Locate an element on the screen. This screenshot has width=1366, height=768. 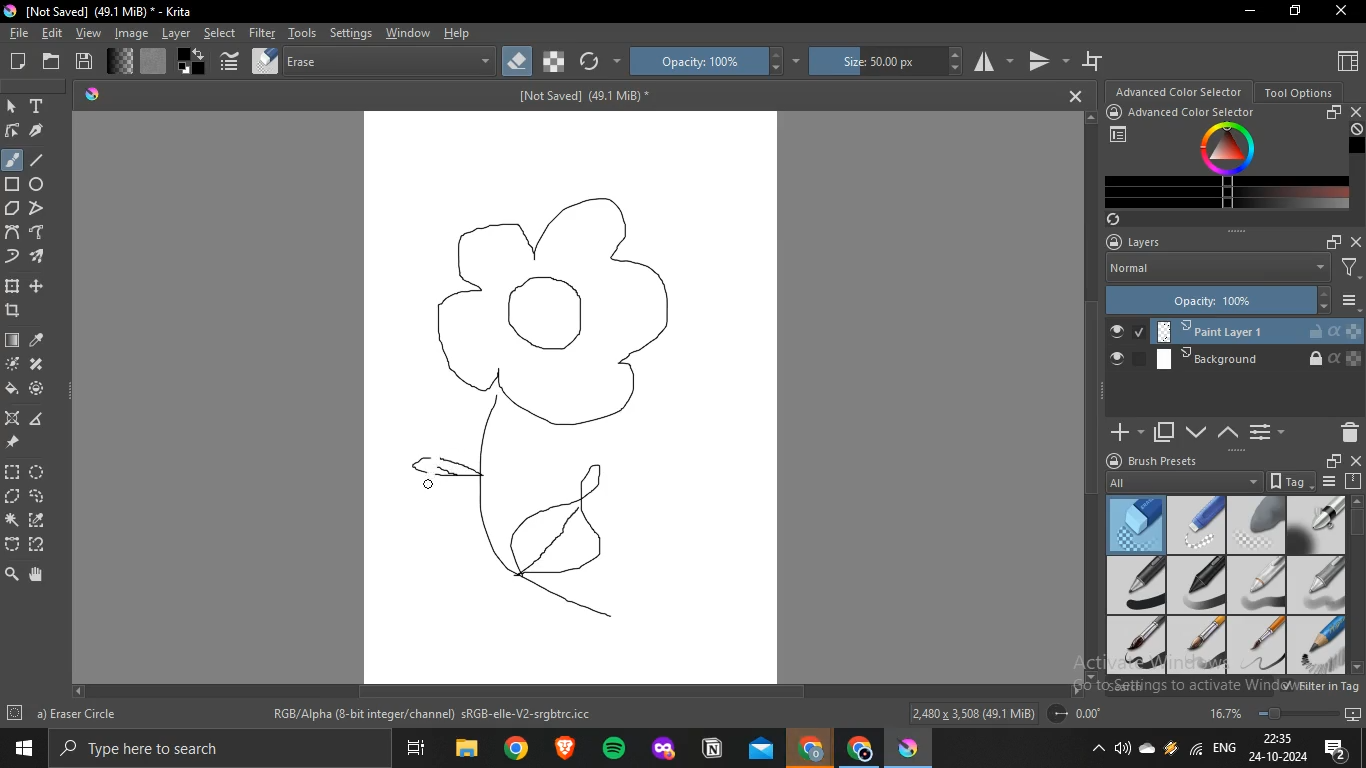
2,480 x 3,508 (49.1 MiB) is located at coordinates (972, 712).